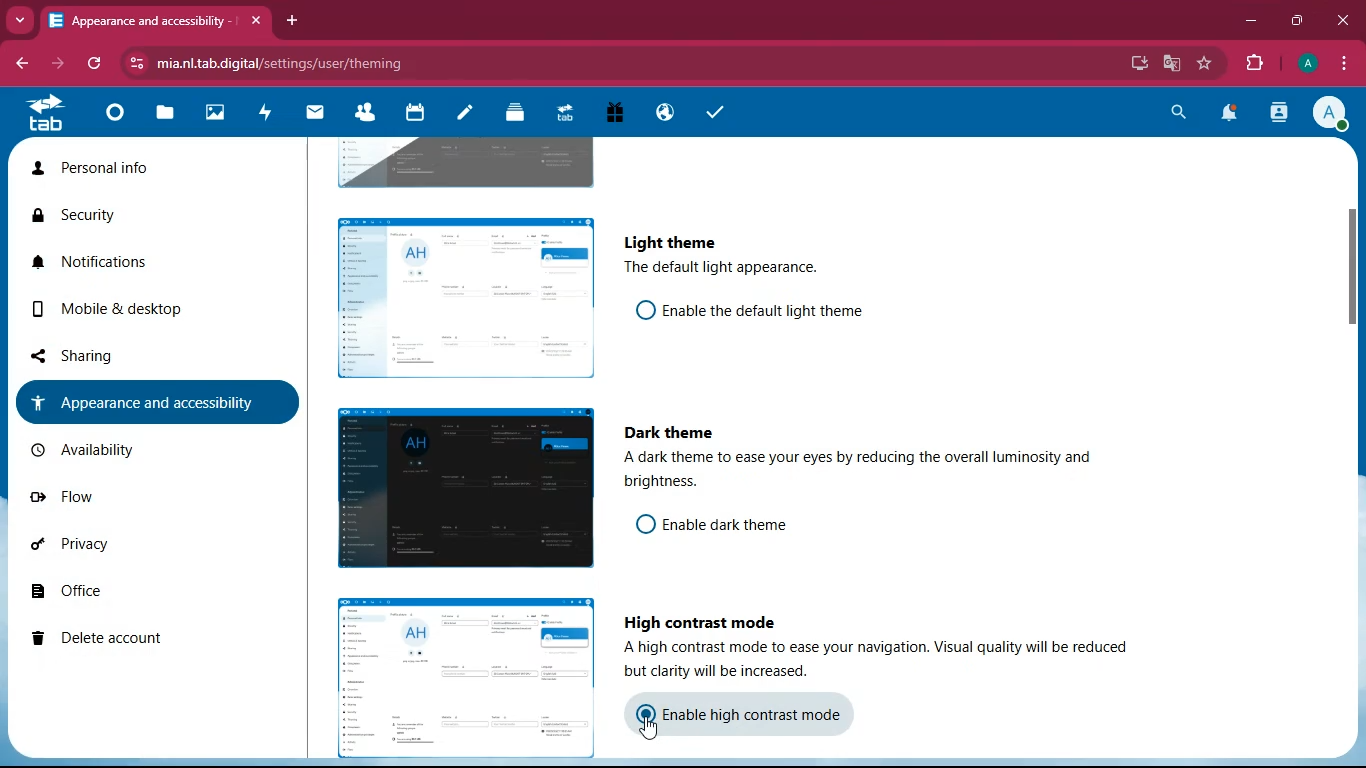  What do you see at coordinates (1357, 346) in the screenshot?
I see `scroll bar` at bounding box center [1357, 346].